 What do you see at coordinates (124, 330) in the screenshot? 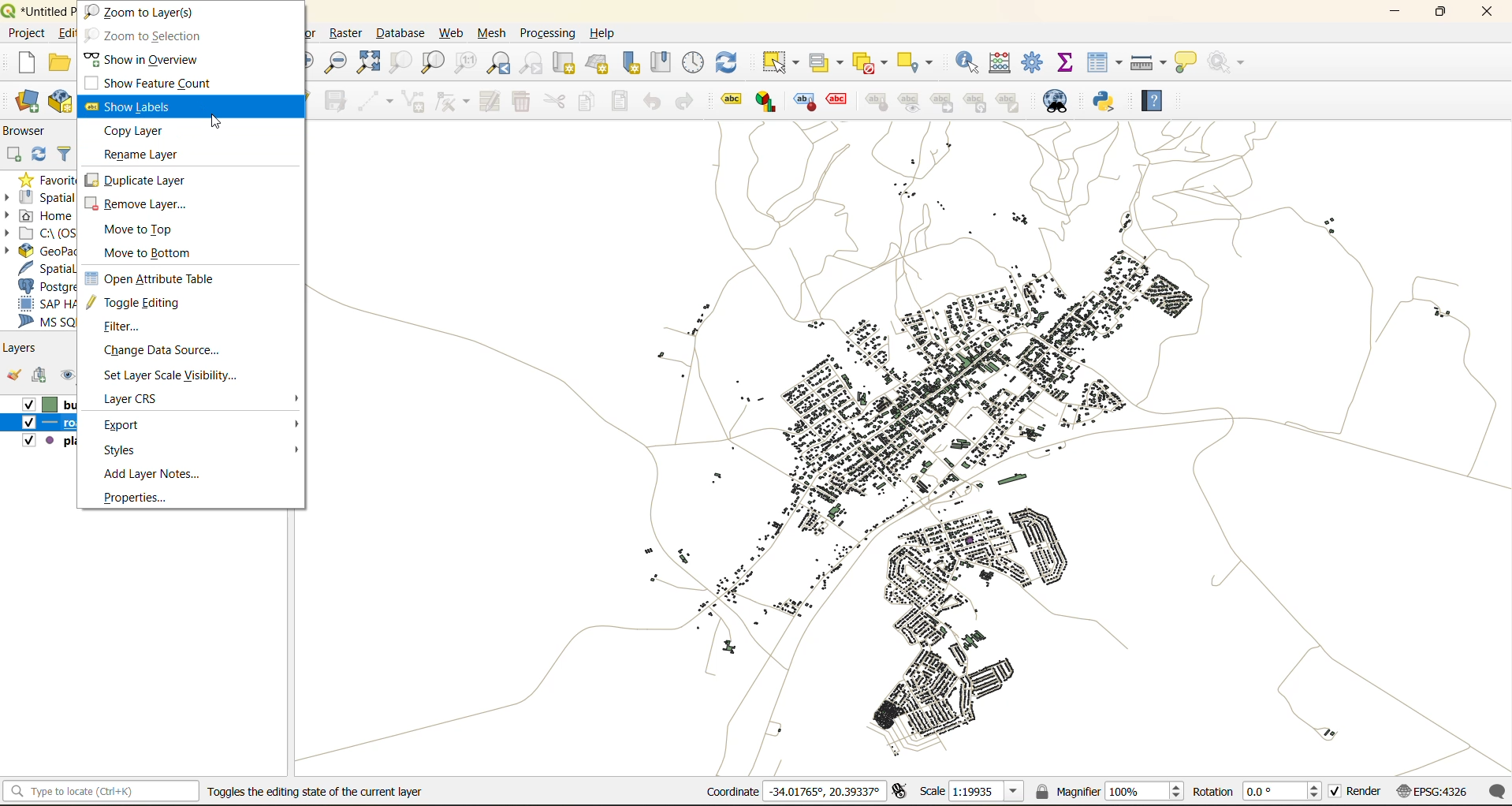
I see `filter` at bounding box center [124, 330].